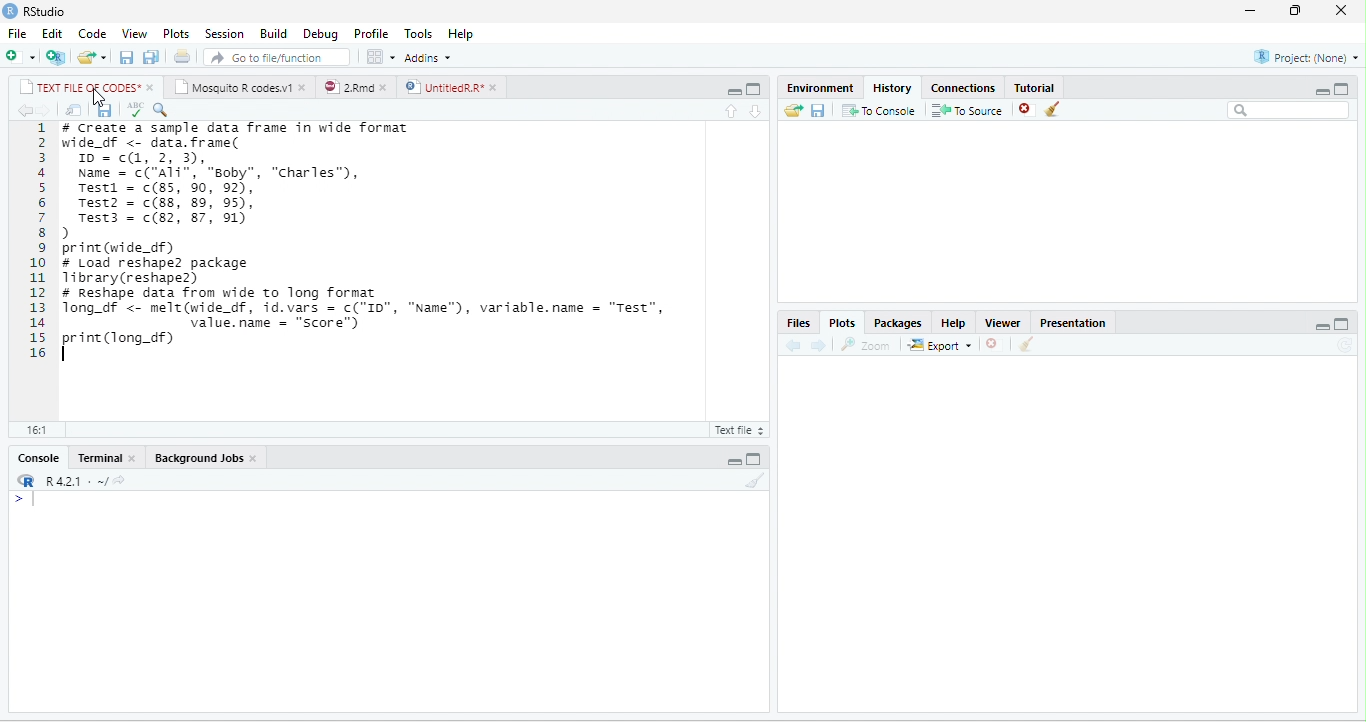  I want to click on >, so click(24, 499).